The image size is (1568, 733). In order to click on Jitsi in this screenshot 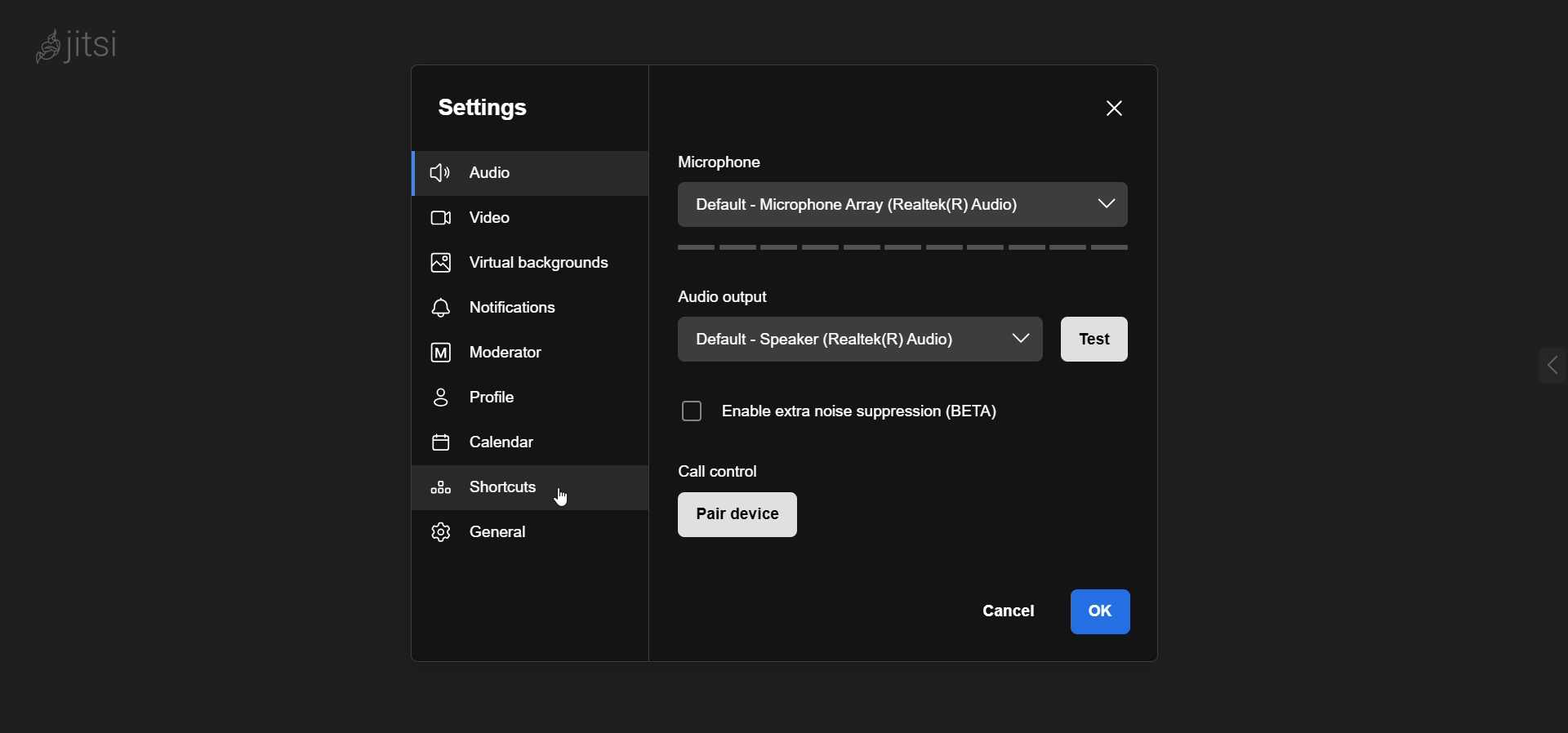, I will do `click(82, 49)`.